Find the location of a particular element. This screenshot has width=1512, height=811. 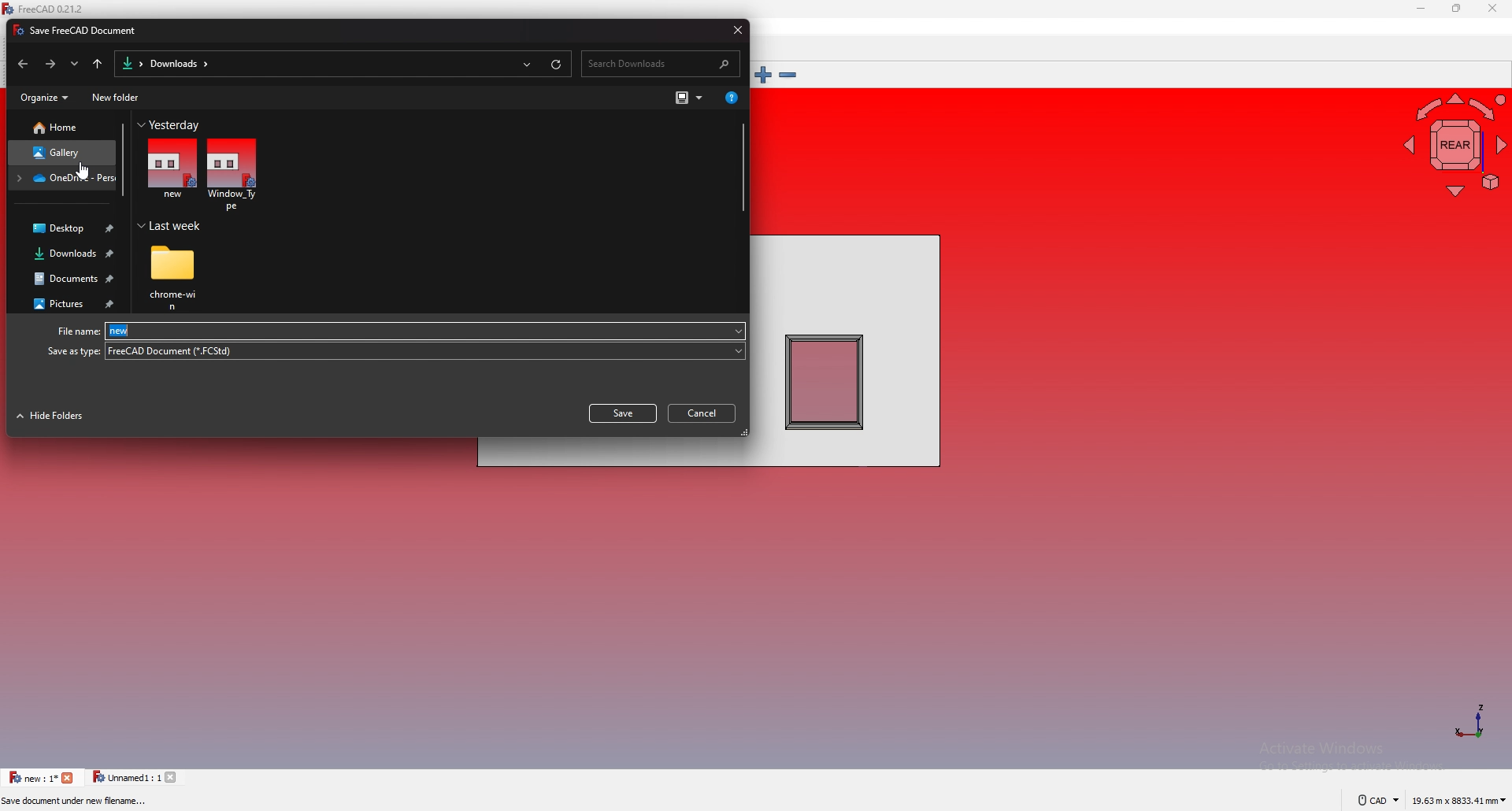

Save FreeCAD Document is located at coordinates (84, 30).